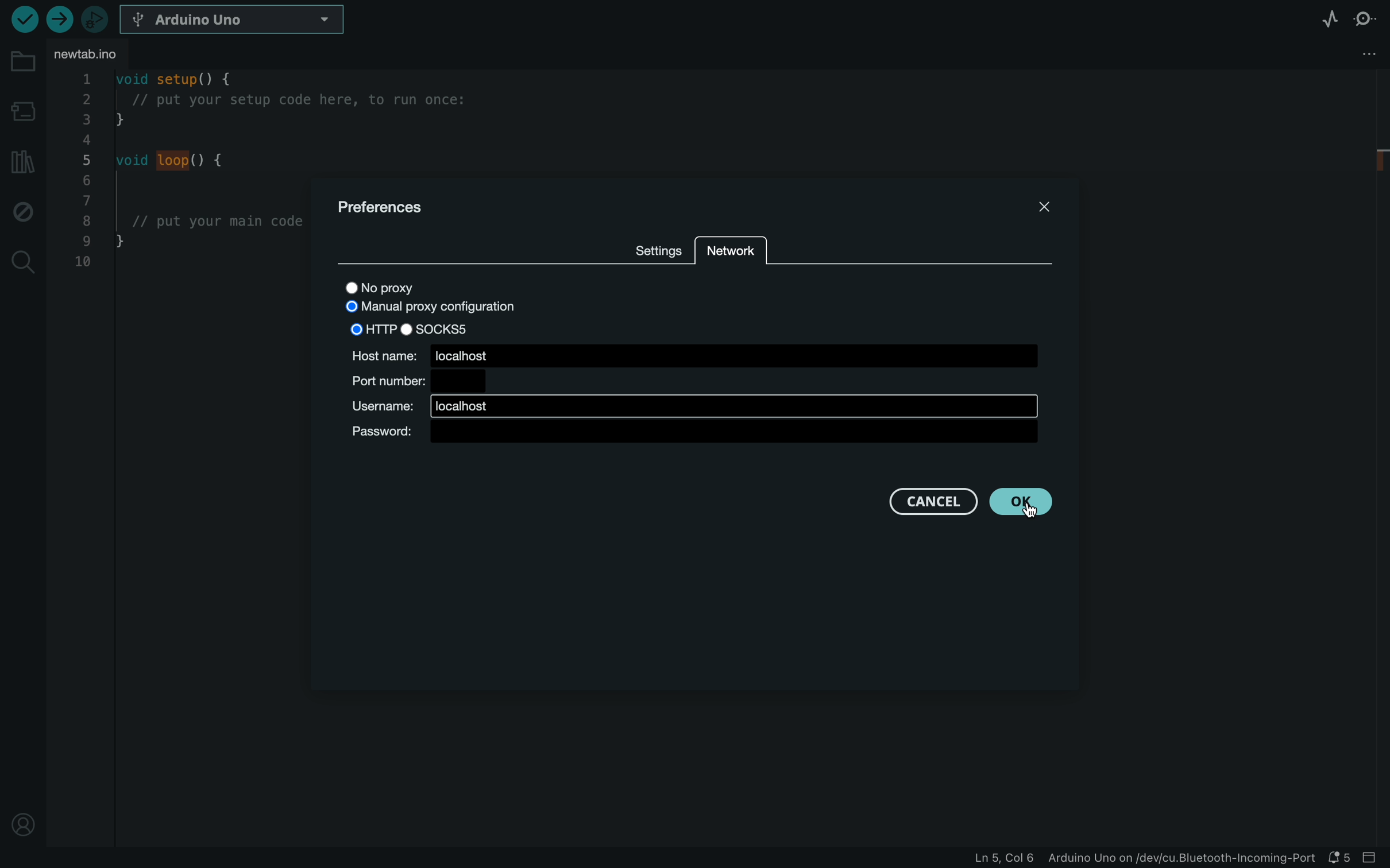  I want to click on HTTP, so click(368, 328).